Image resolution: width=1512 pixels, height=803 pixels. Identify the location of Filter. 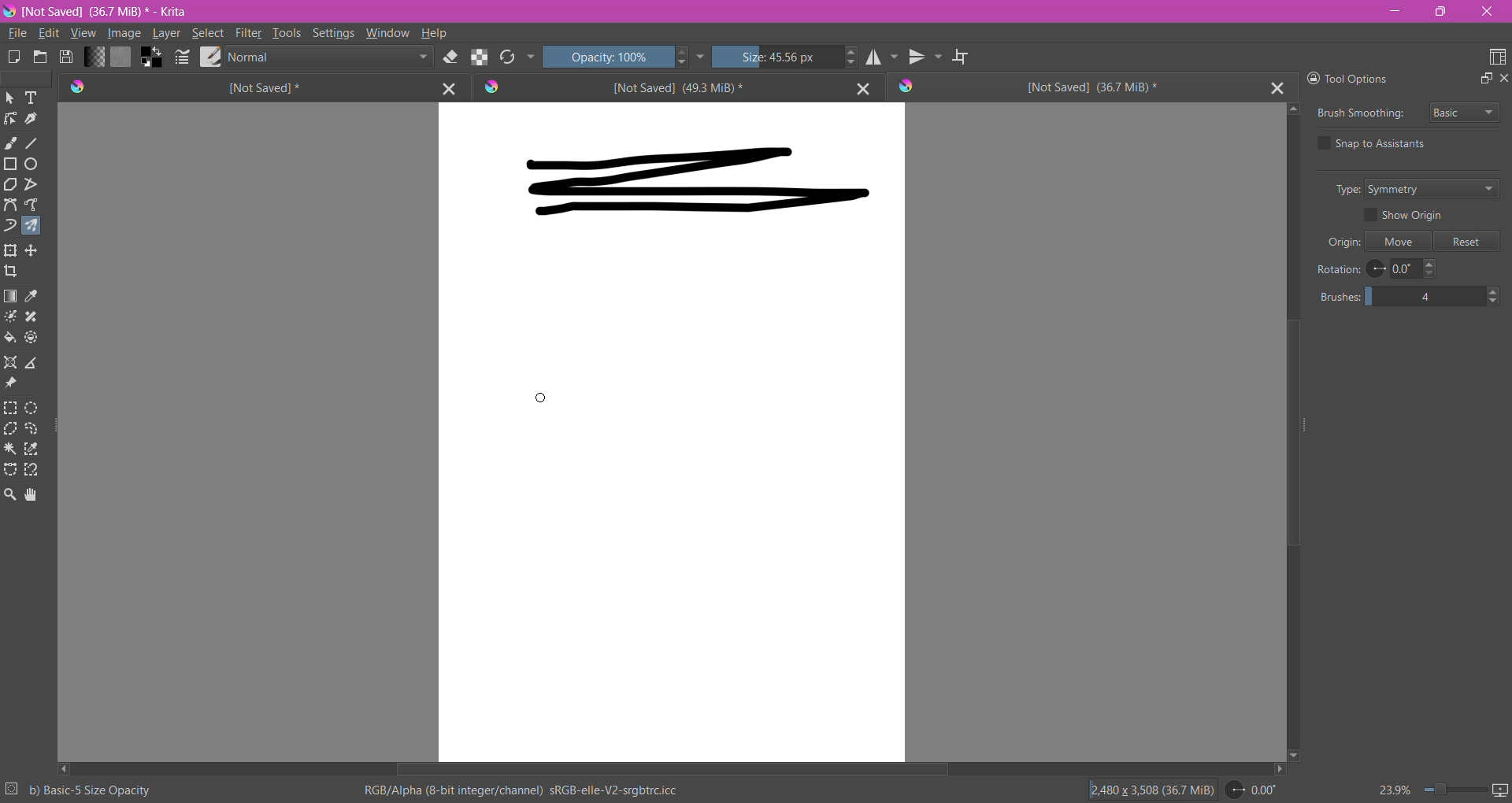
(248, 33).